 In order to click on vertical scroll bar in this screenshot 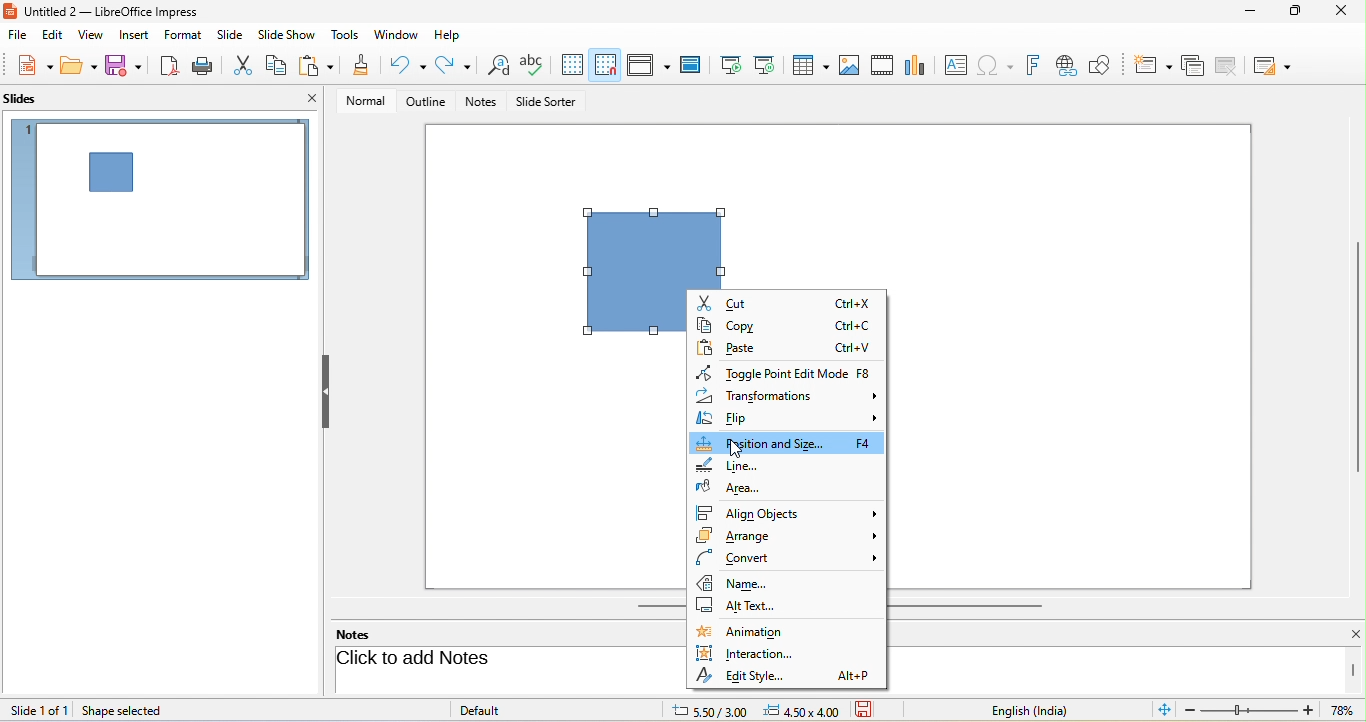, I will do `click(1357, 357)`.